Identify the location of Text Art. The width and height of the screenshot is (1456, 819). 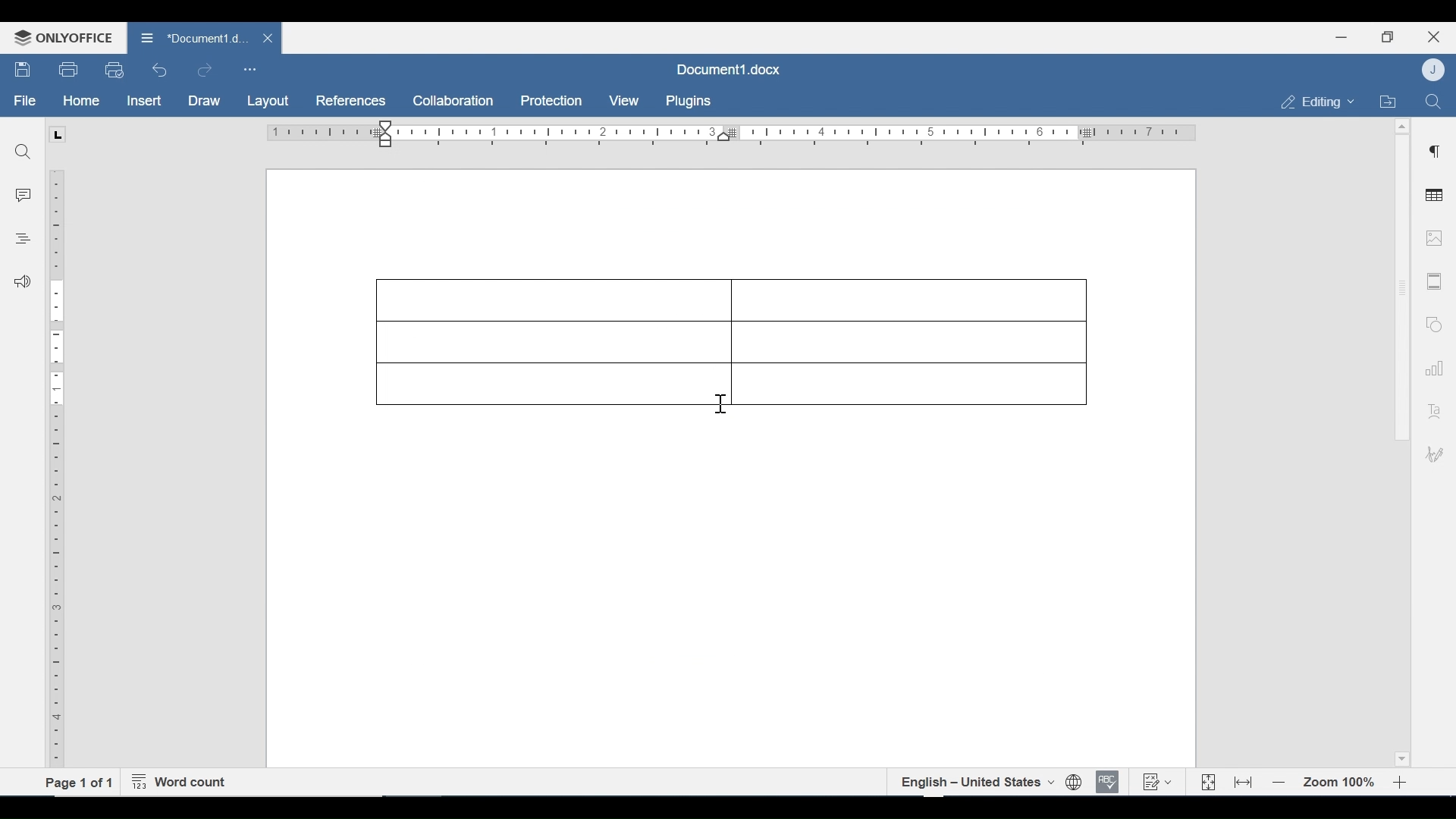
(1432, 408).